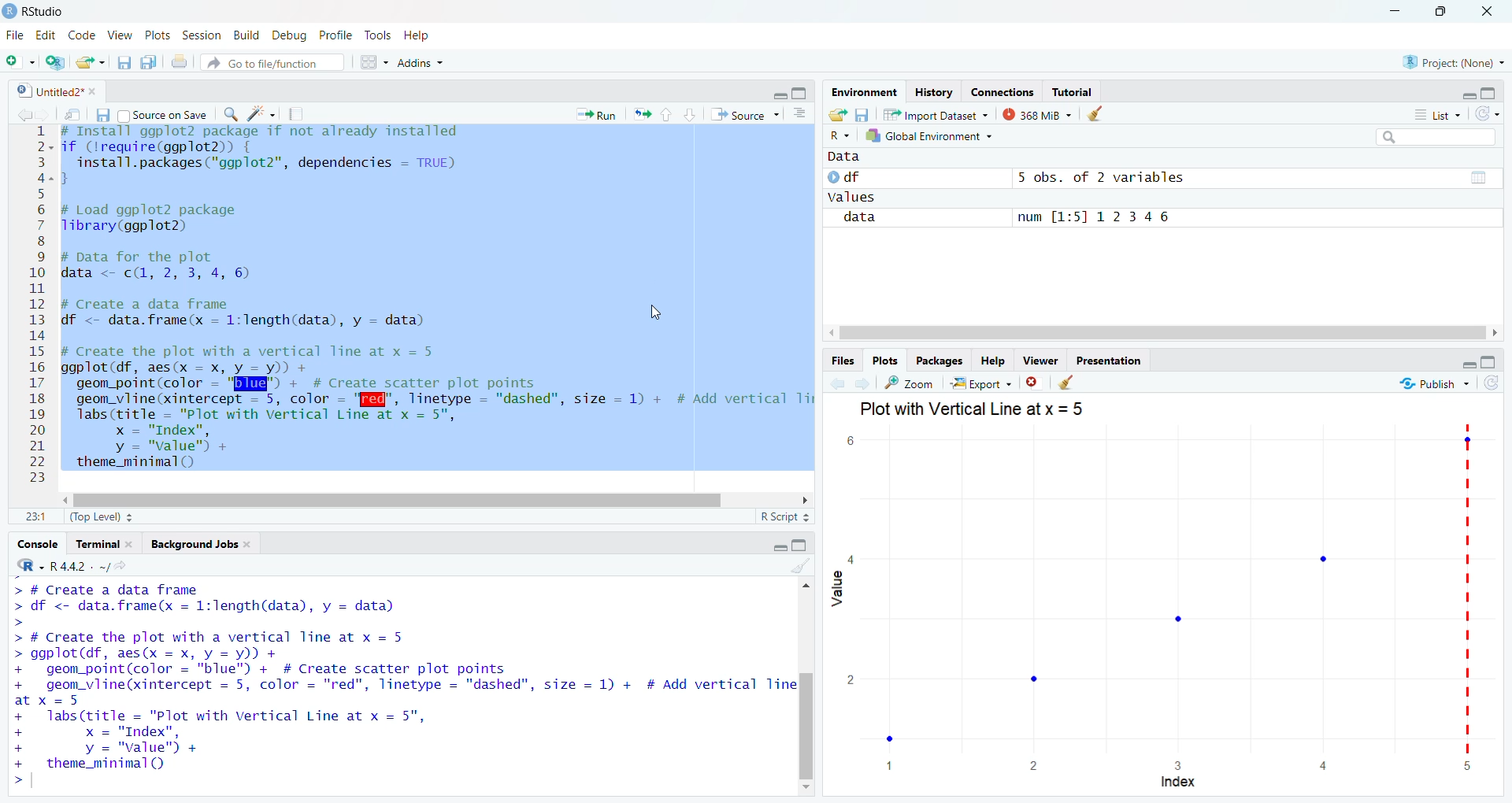 This screenshot has height=803, width=1512. I want to click on close, so click(1033, 385).